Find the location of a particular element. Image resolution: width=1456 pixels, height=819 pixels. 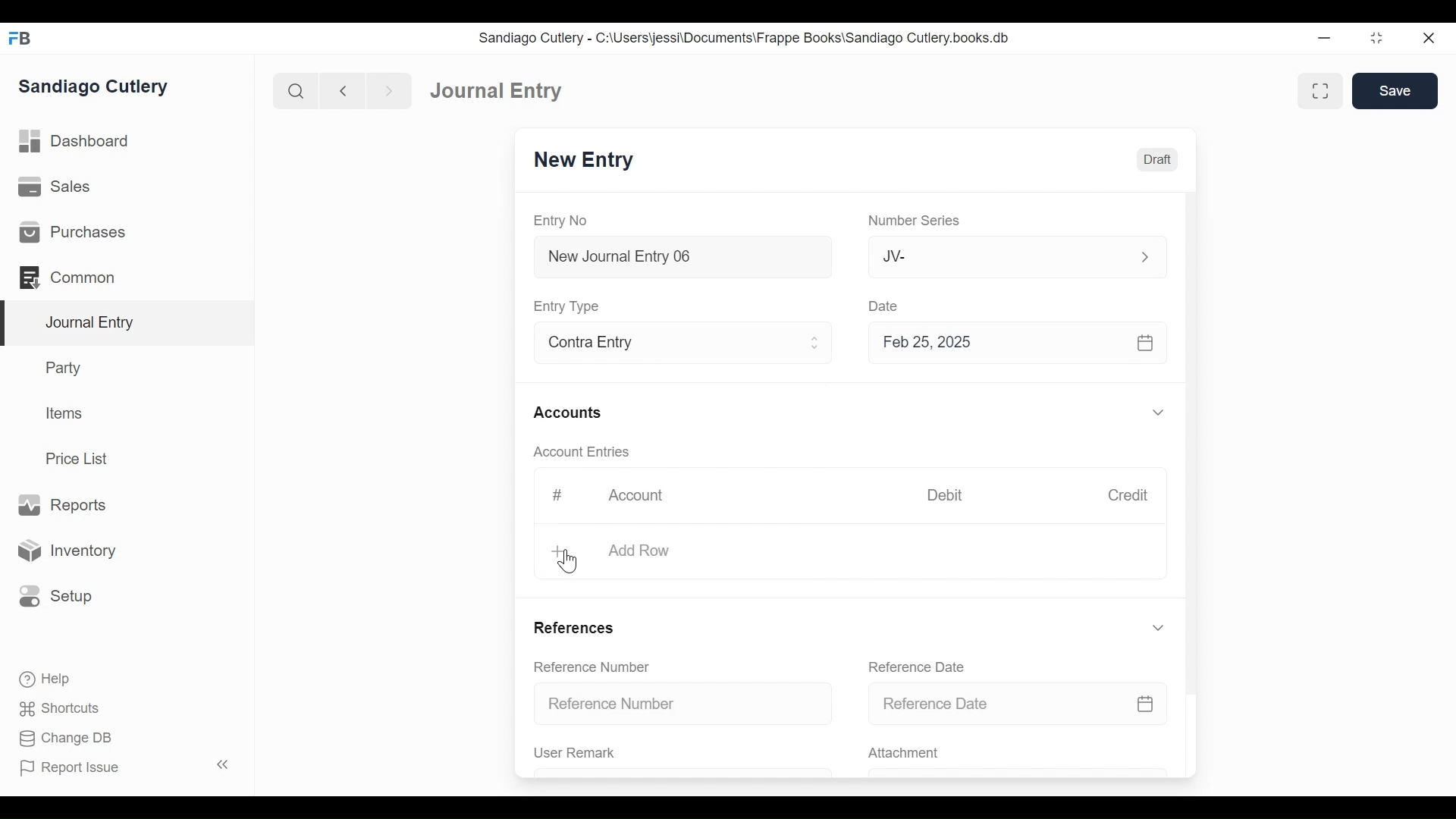

Expand is located at coordinates (1161, 413).